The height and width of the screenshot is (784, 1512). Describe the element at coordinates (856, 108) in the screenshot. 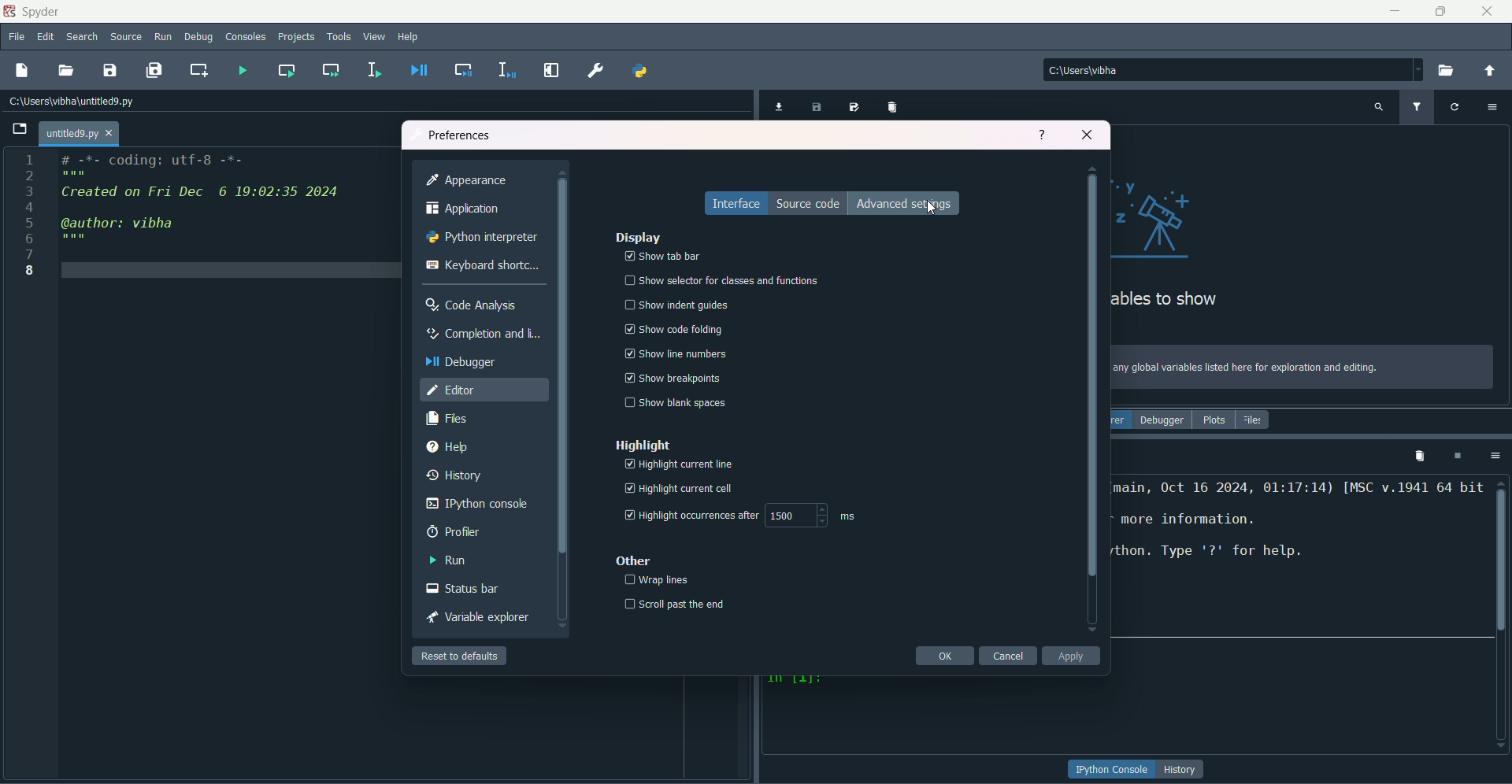

I see `save data as` at that location.